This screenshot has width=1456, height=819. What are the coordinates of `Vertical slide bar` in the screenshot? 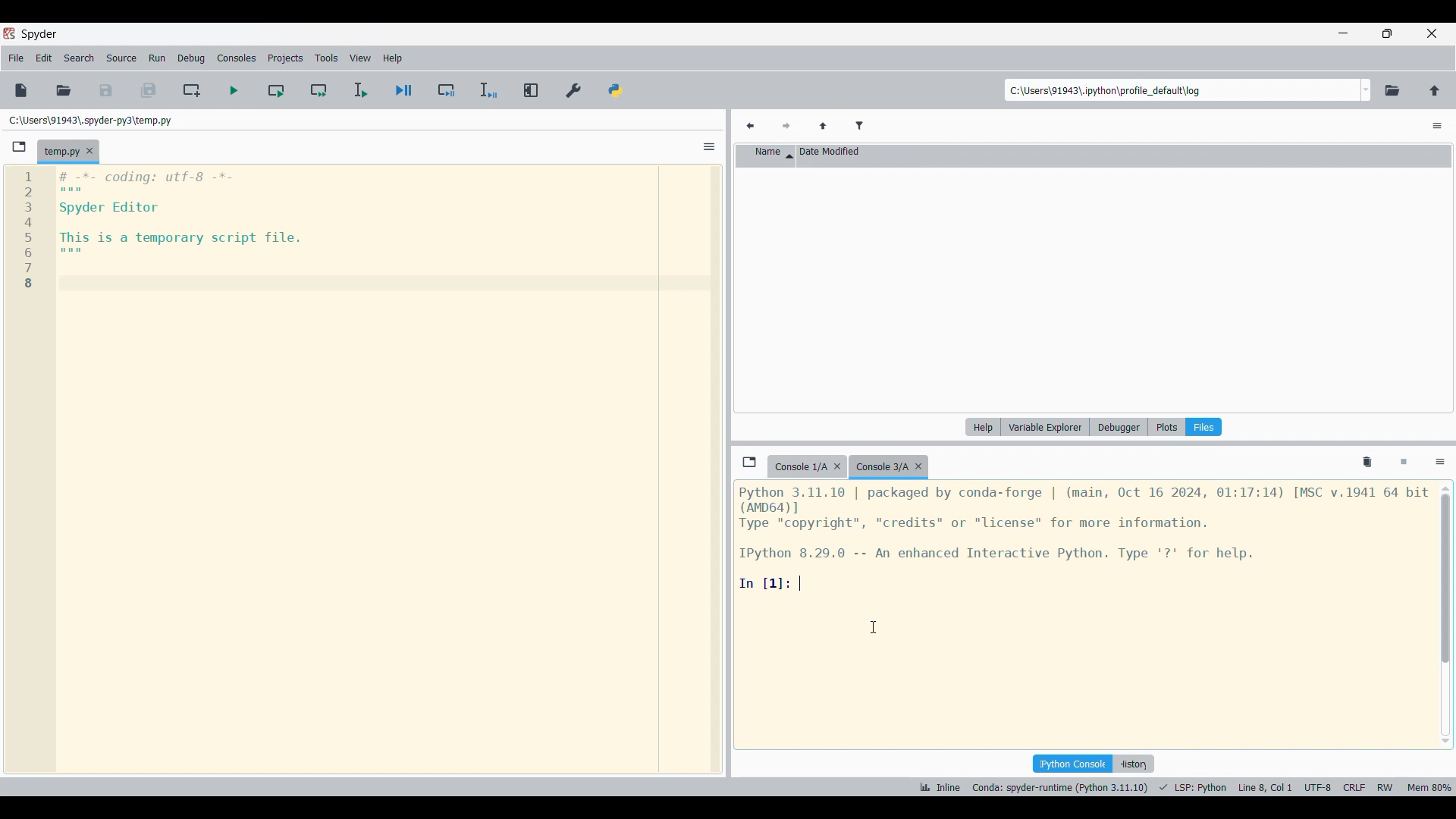 It's located at (1445, 615).